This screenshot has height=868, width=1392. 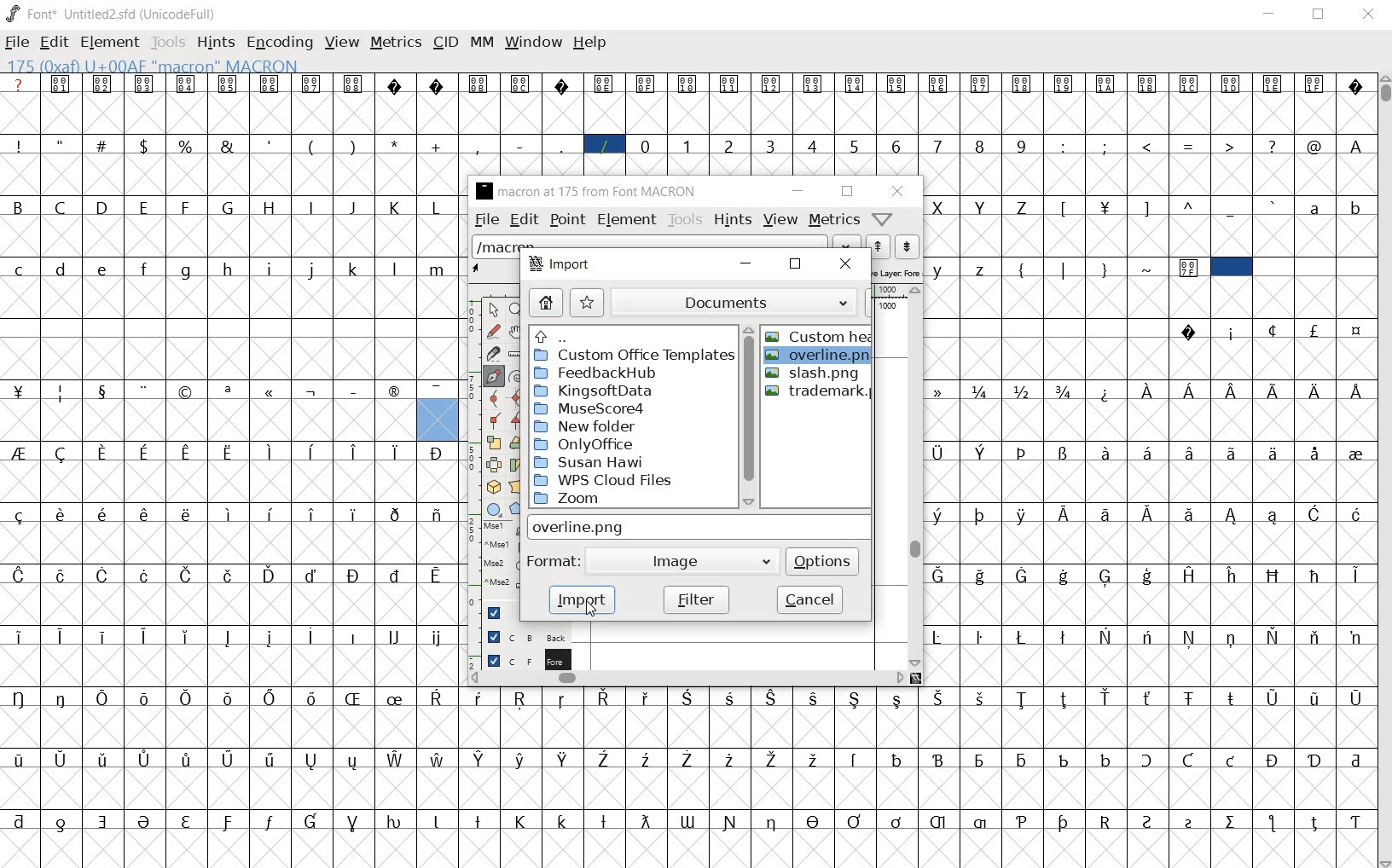 I want to click on input line, so click(x=697, y=527).